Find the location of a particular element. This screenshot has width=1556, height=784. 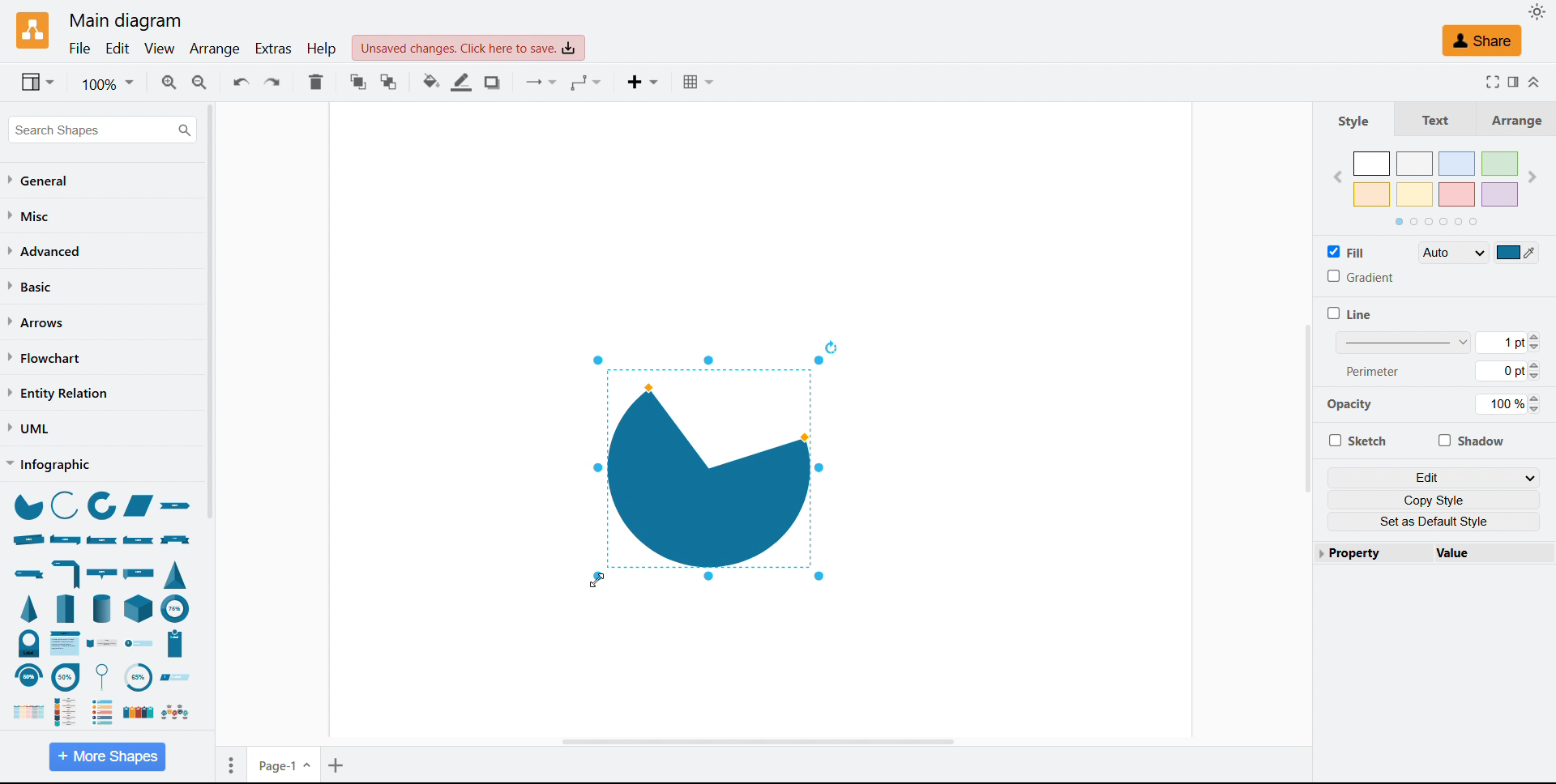

More shapes  is located at coordinates (107, 756).